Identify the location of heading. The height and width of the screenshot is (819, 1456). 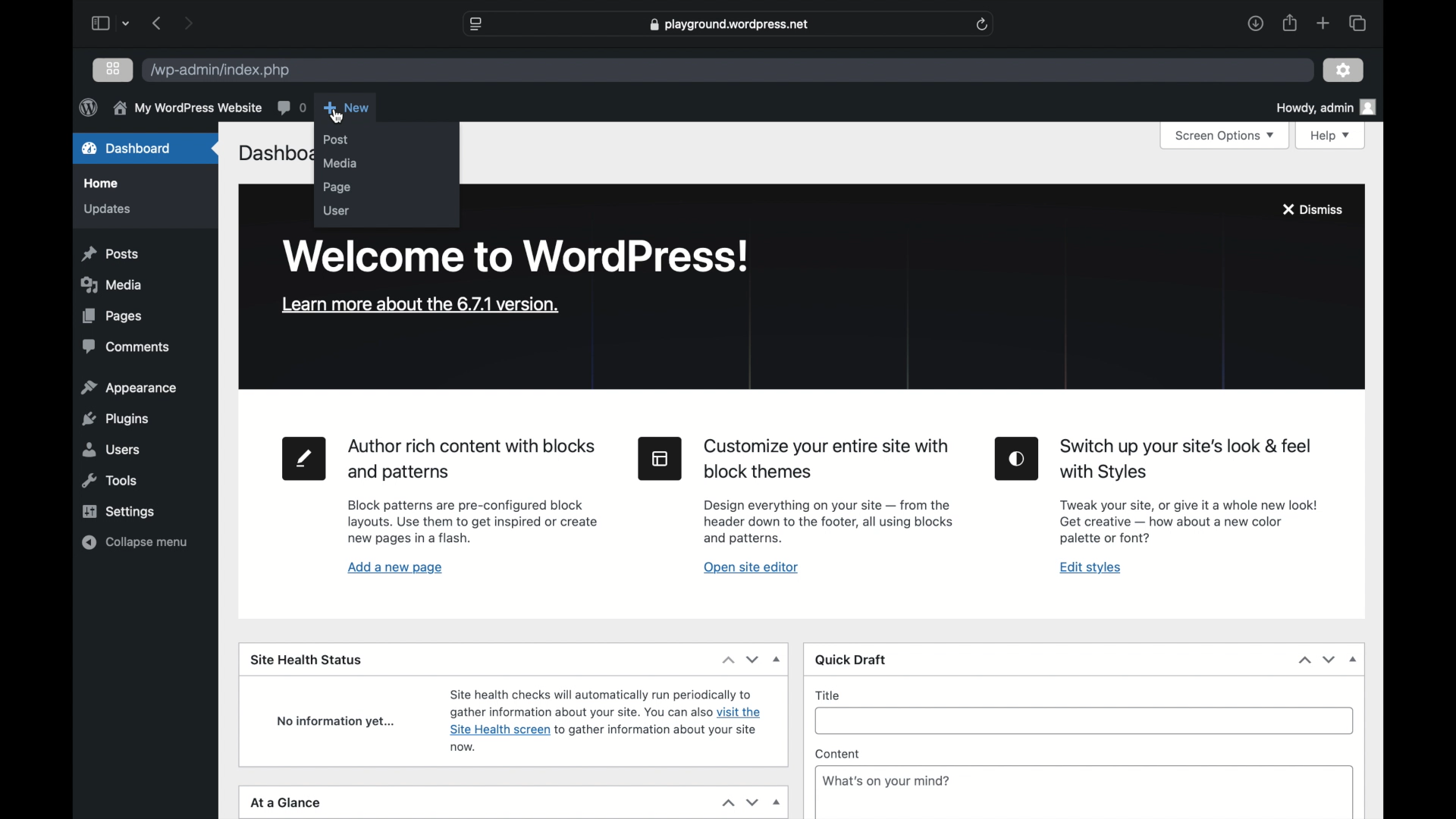
(474, 460).